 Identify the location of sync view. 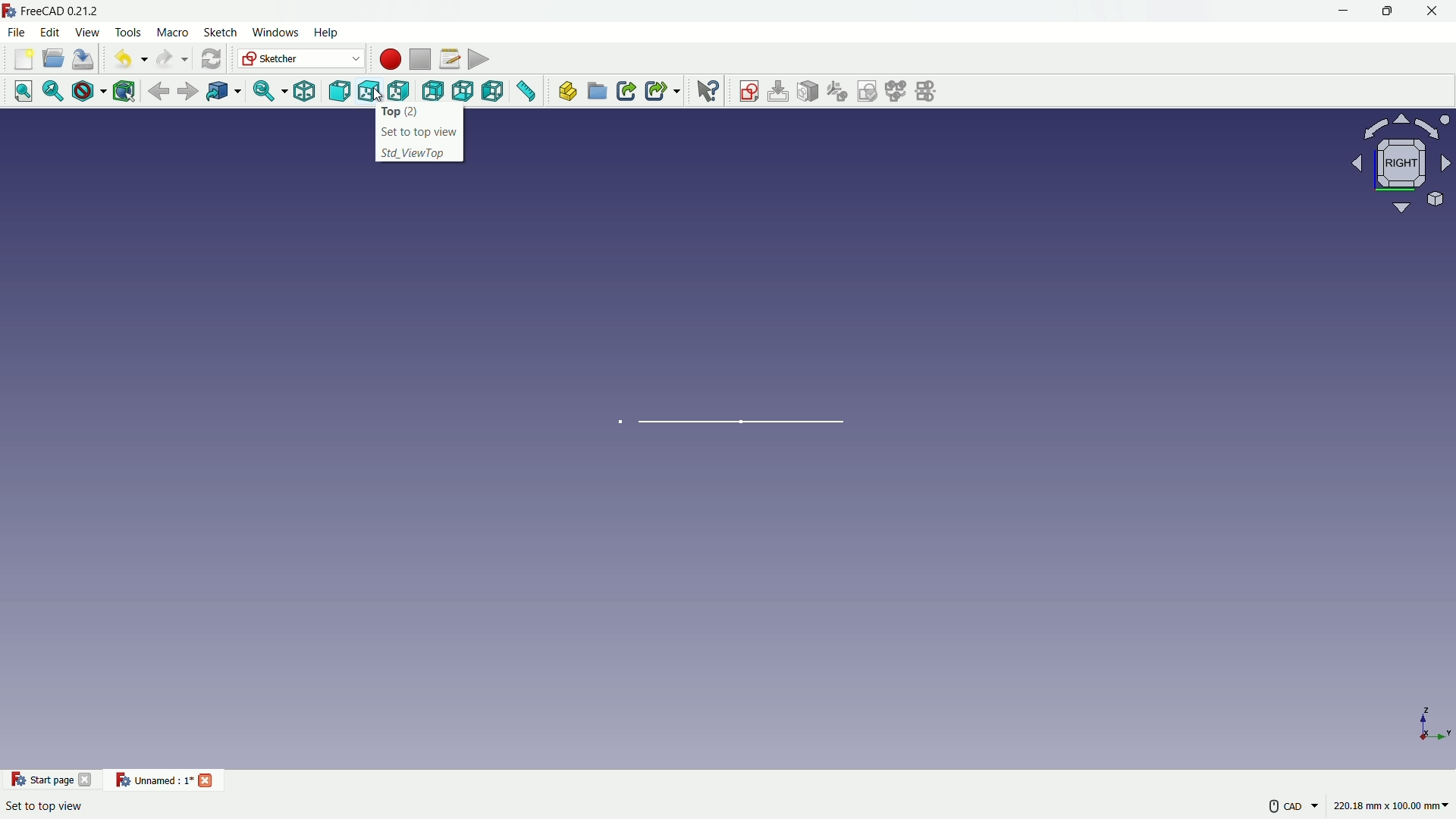
(266, 92).